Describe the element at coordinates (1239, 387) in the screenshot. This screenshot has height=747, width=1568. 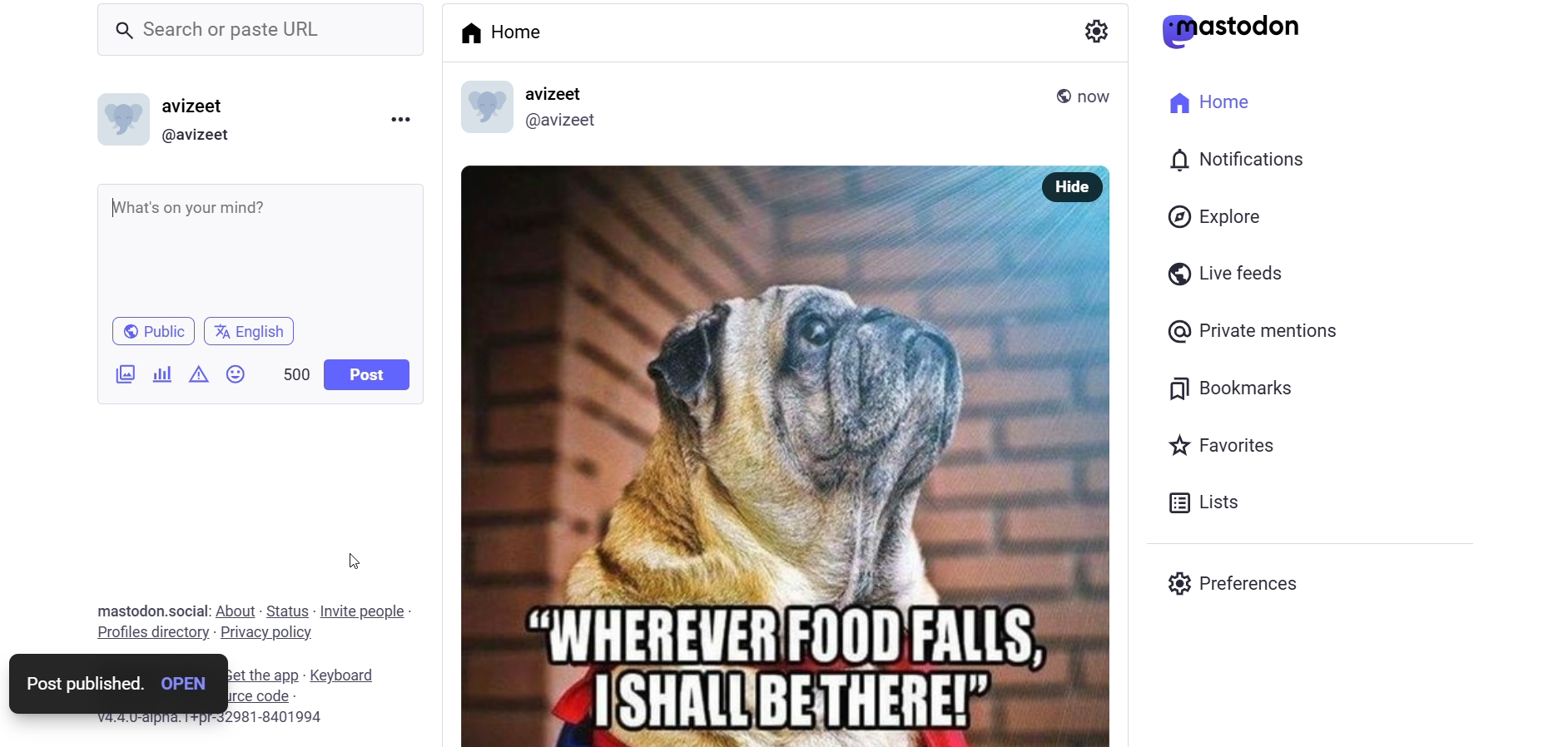
I see `bookmark` at that location.